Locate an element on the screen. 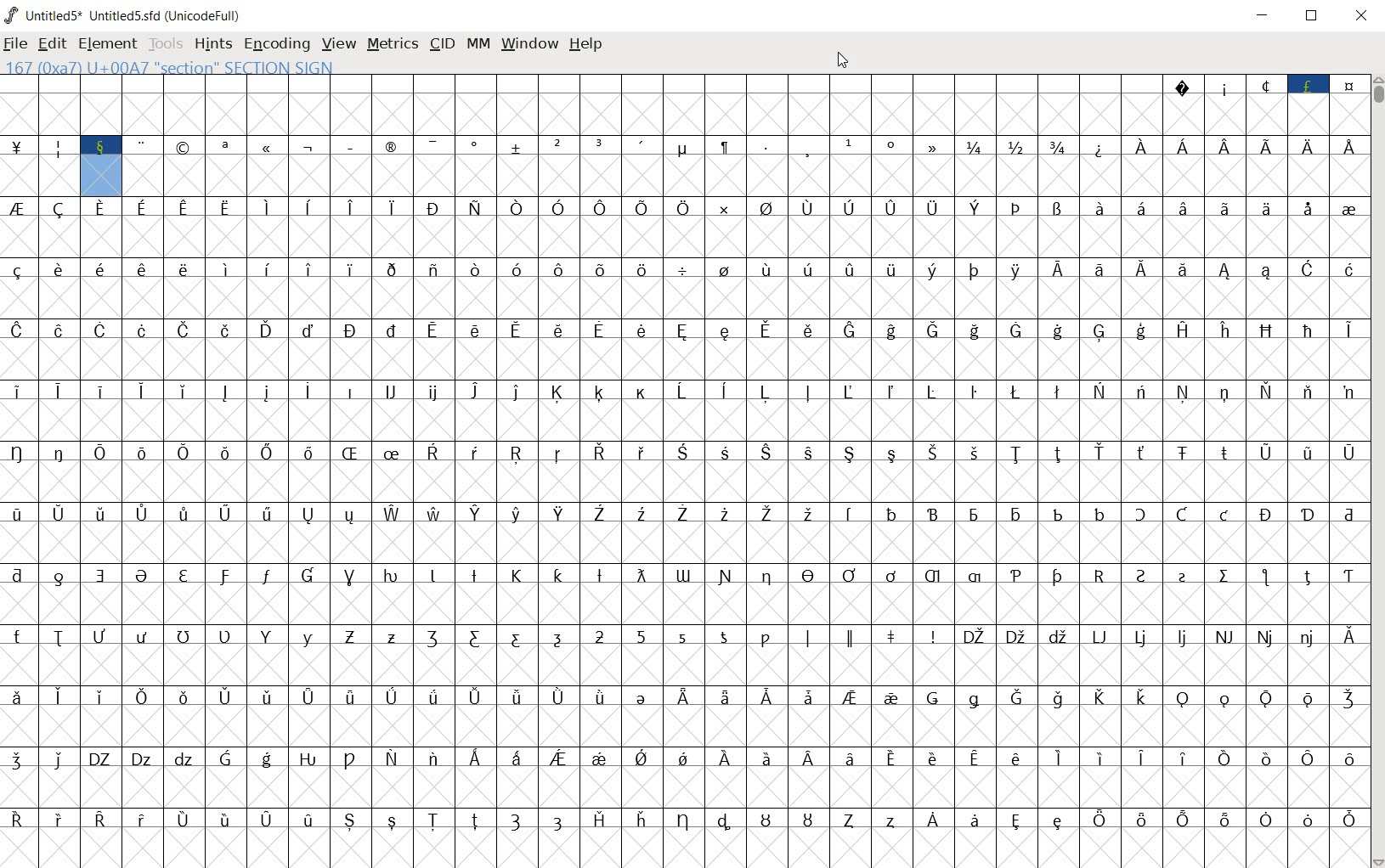 This screenshot has width=1385, height=868. minimize is located at coordinates (1265, 14).